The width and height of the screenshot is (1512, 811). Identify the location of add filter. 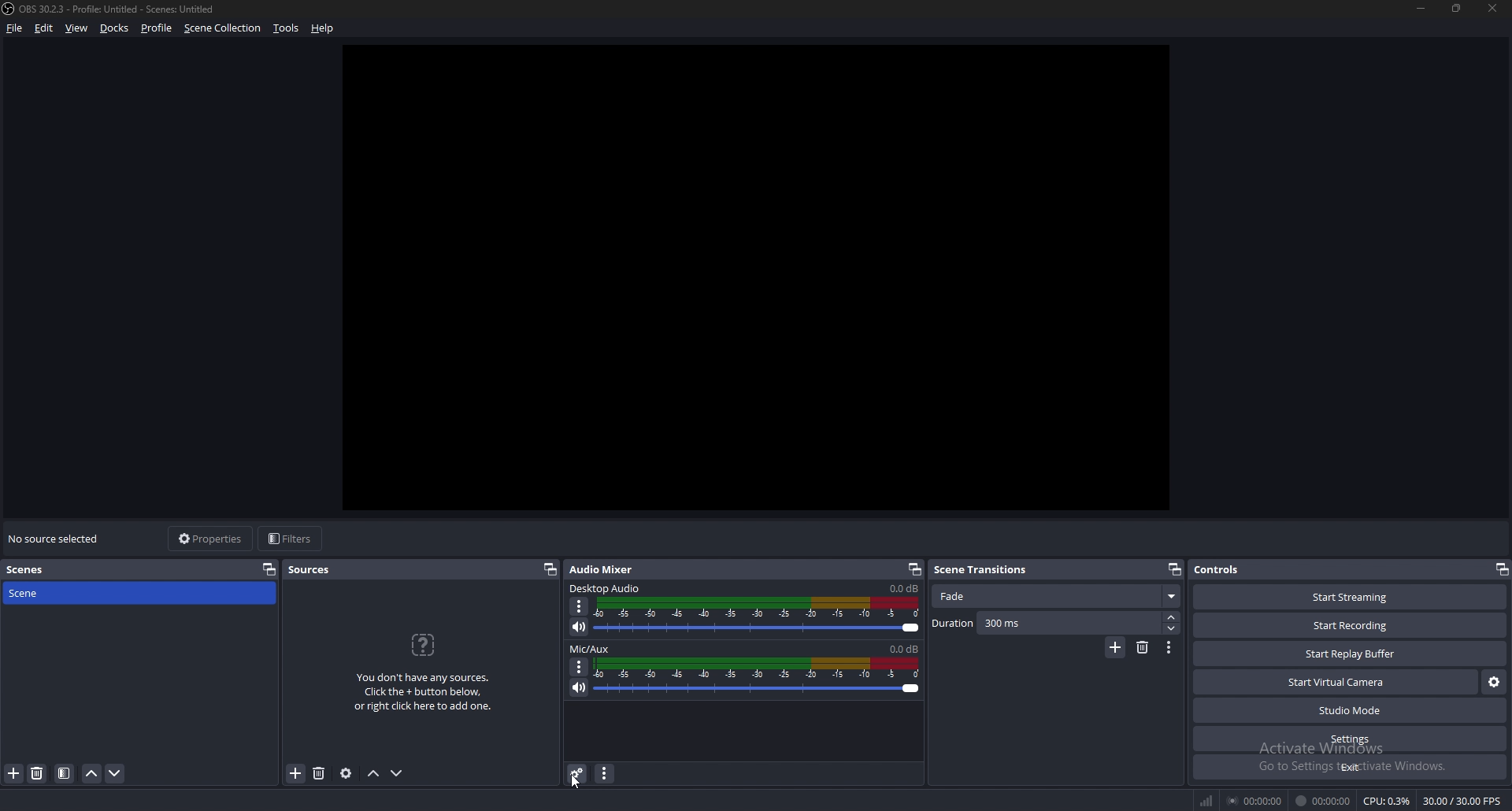
(14, 773).